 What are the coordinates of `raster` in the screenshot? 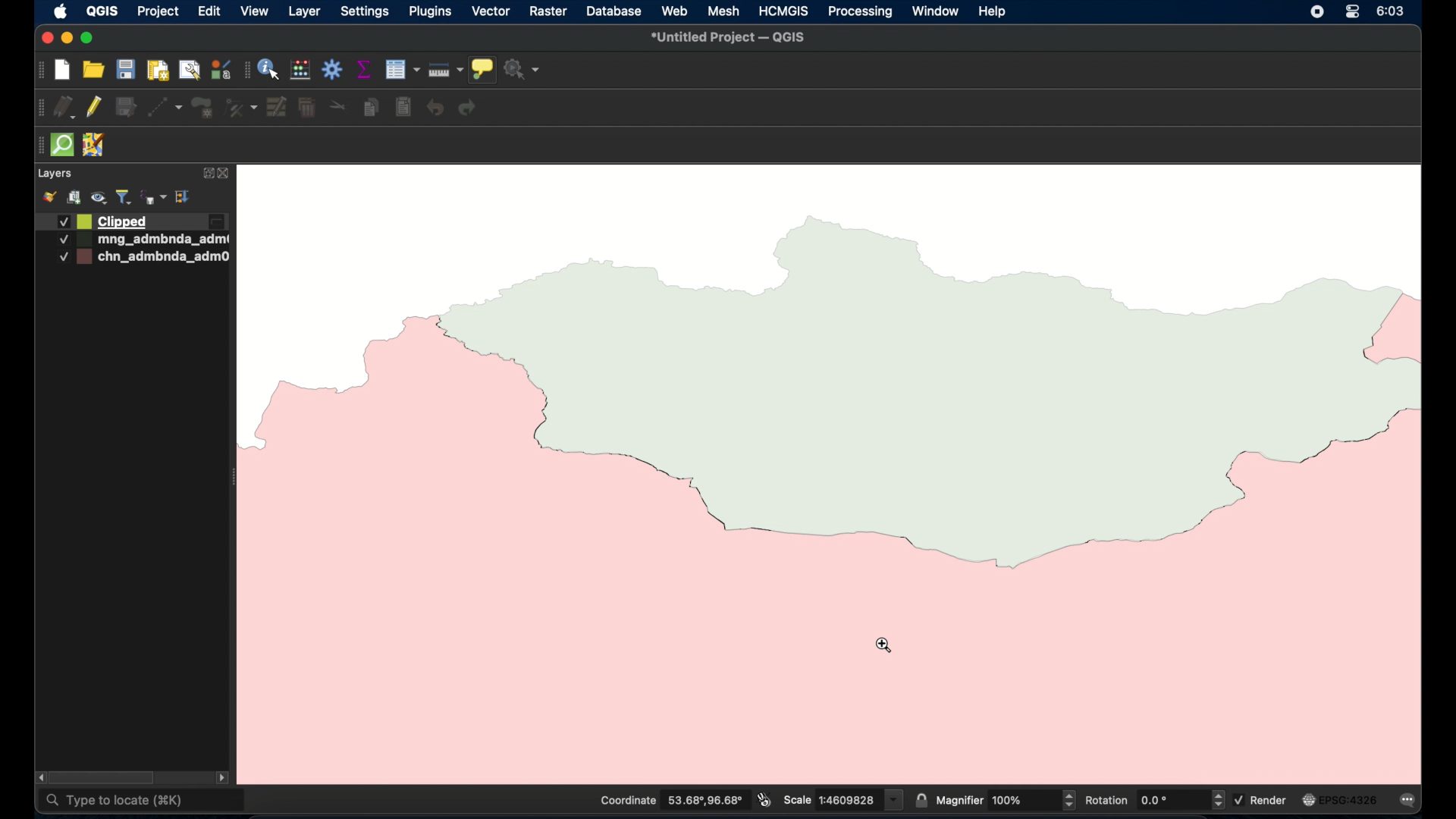 It's located at (547, 12).